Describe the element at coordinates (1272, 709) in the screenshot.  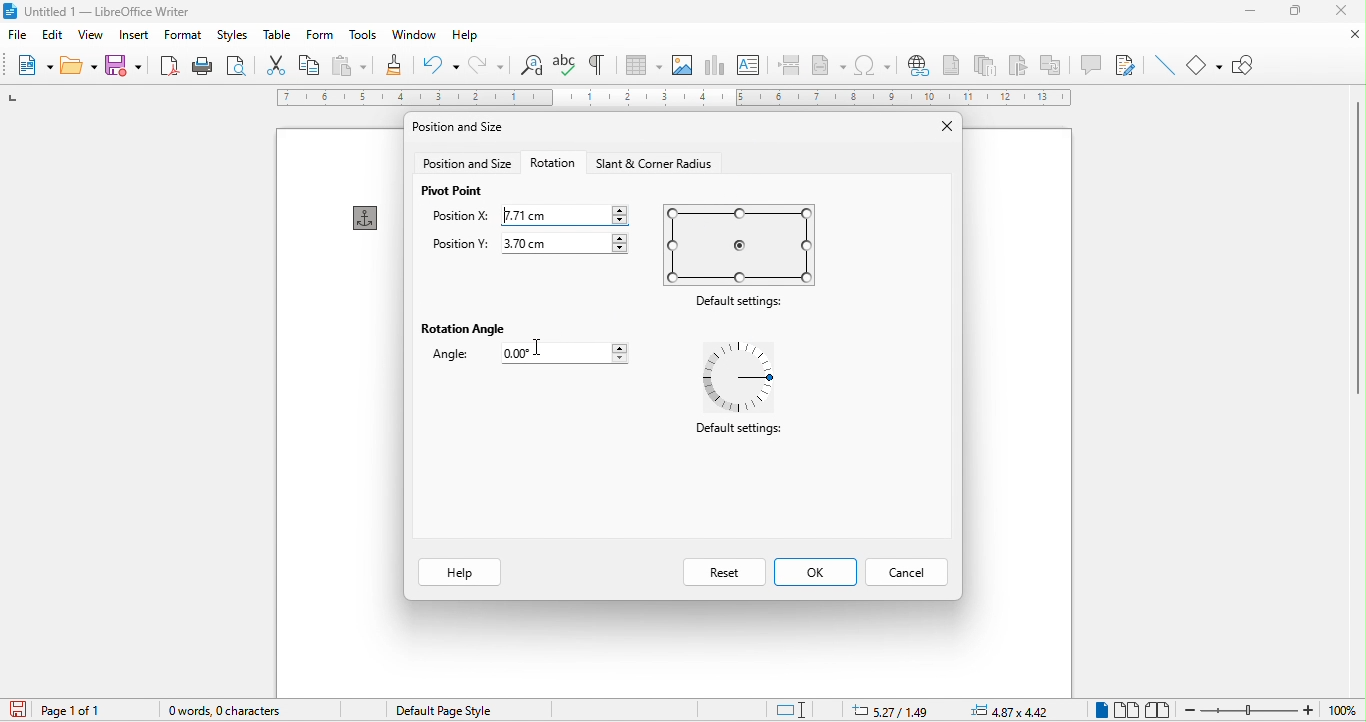
I see `zoom` at that location.